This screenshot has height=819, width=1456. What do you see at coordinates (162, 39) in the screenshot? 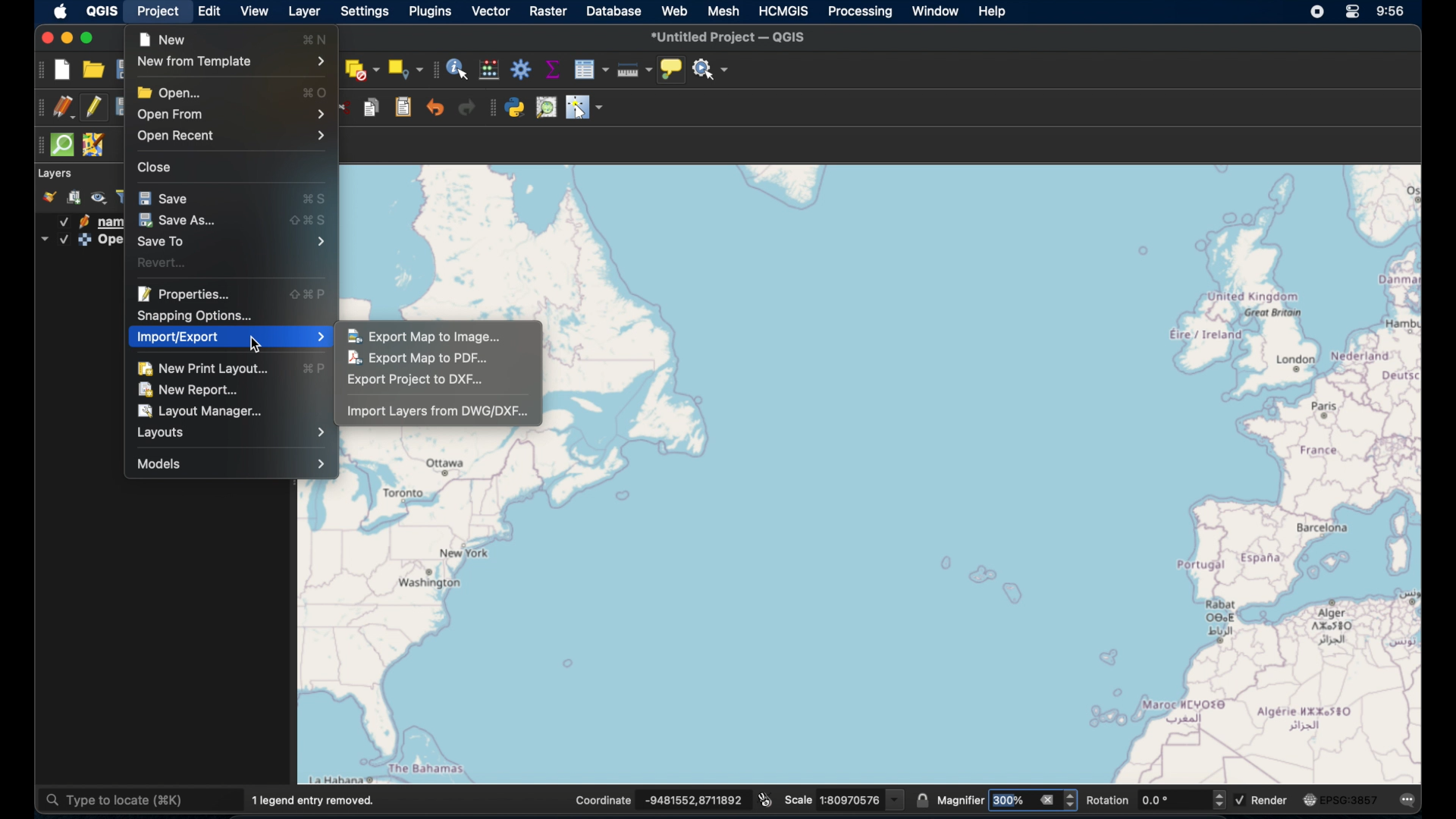
I see `new` at bounding box center [162, 39].